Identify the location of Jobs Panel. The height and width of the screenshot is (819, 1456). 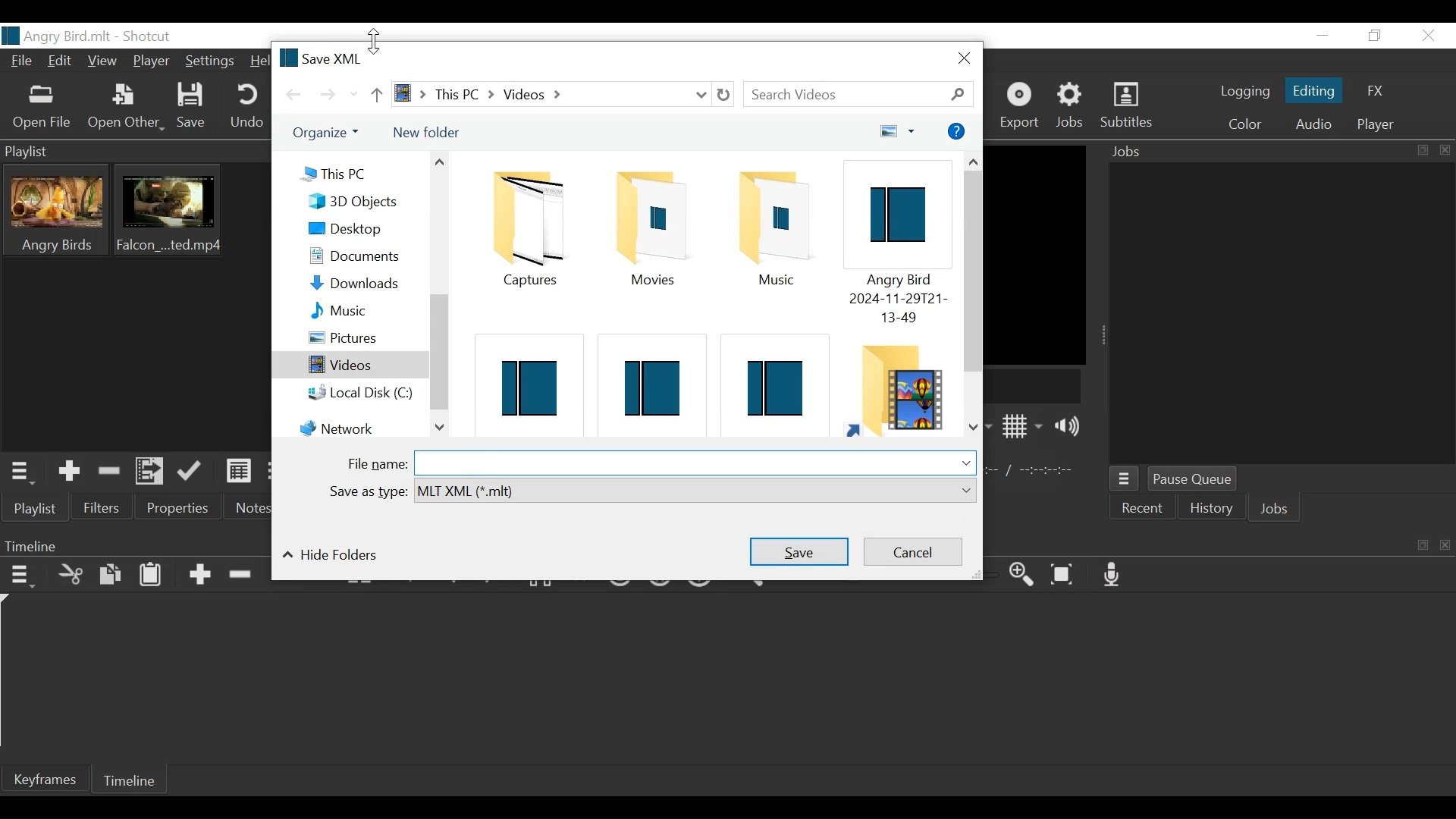
(1284, 317).